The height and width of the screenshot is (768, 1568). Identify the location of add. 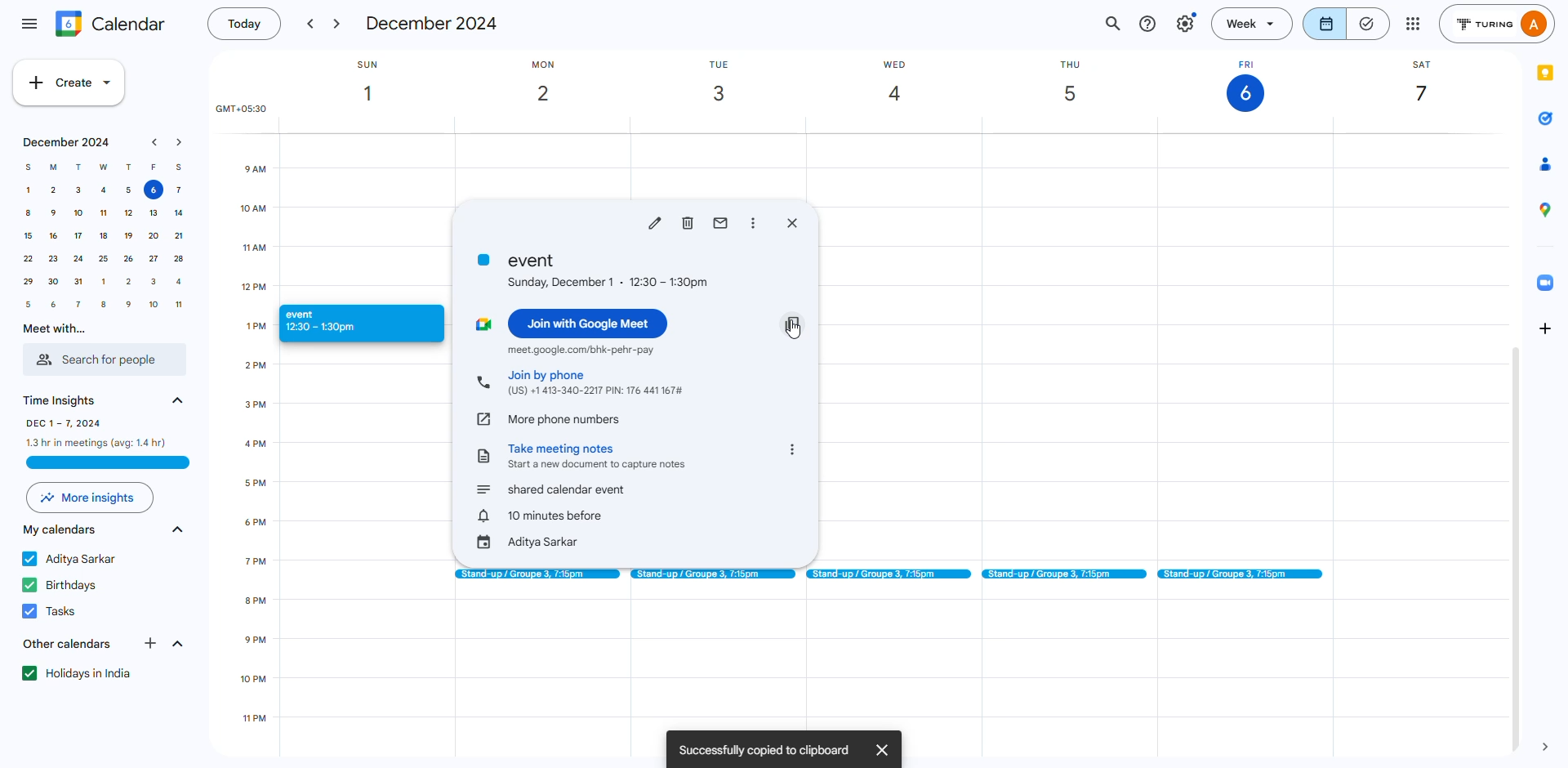
(153, 643).